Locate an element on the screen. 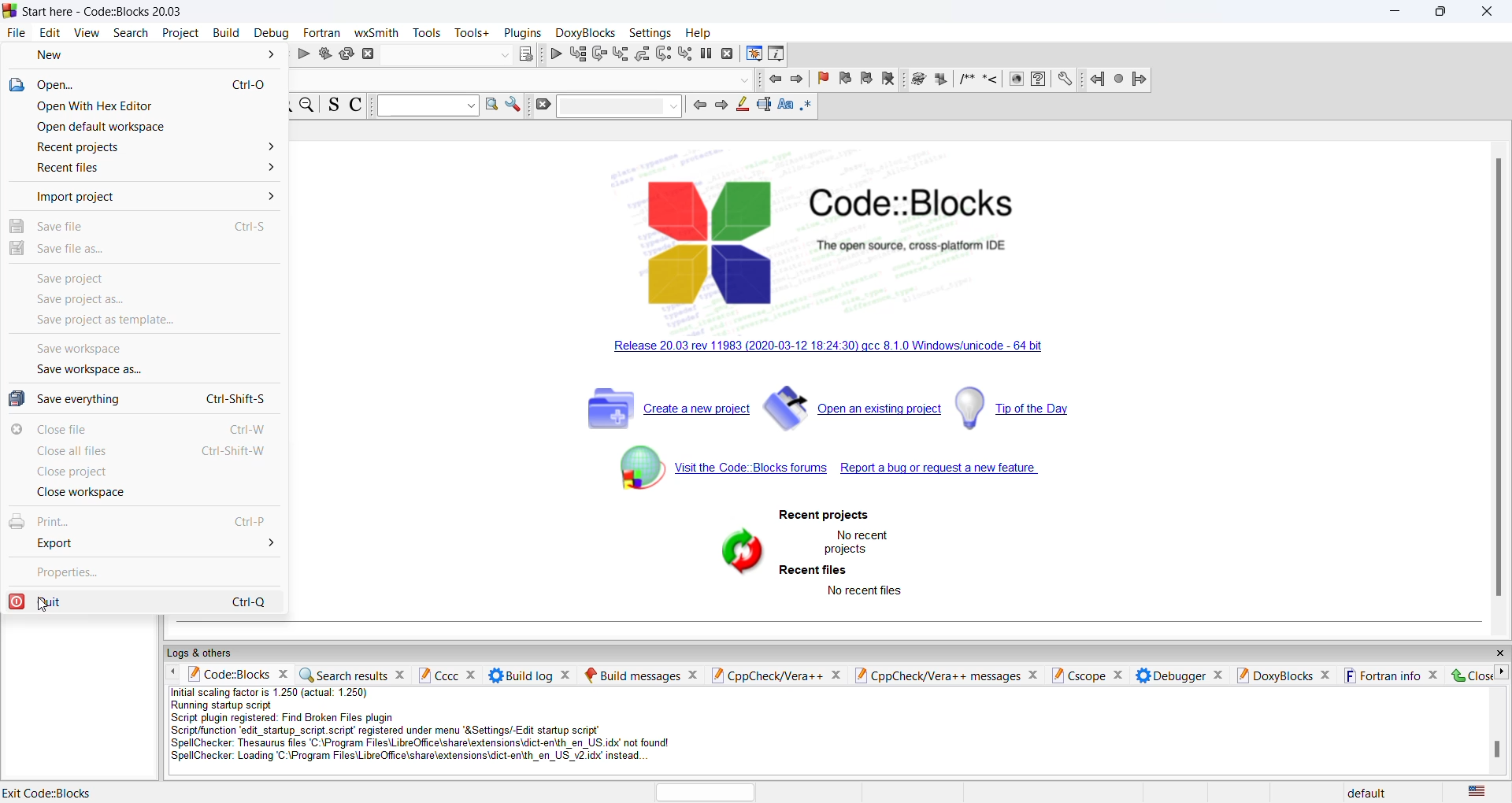  build is located at coordinates (917, 79).